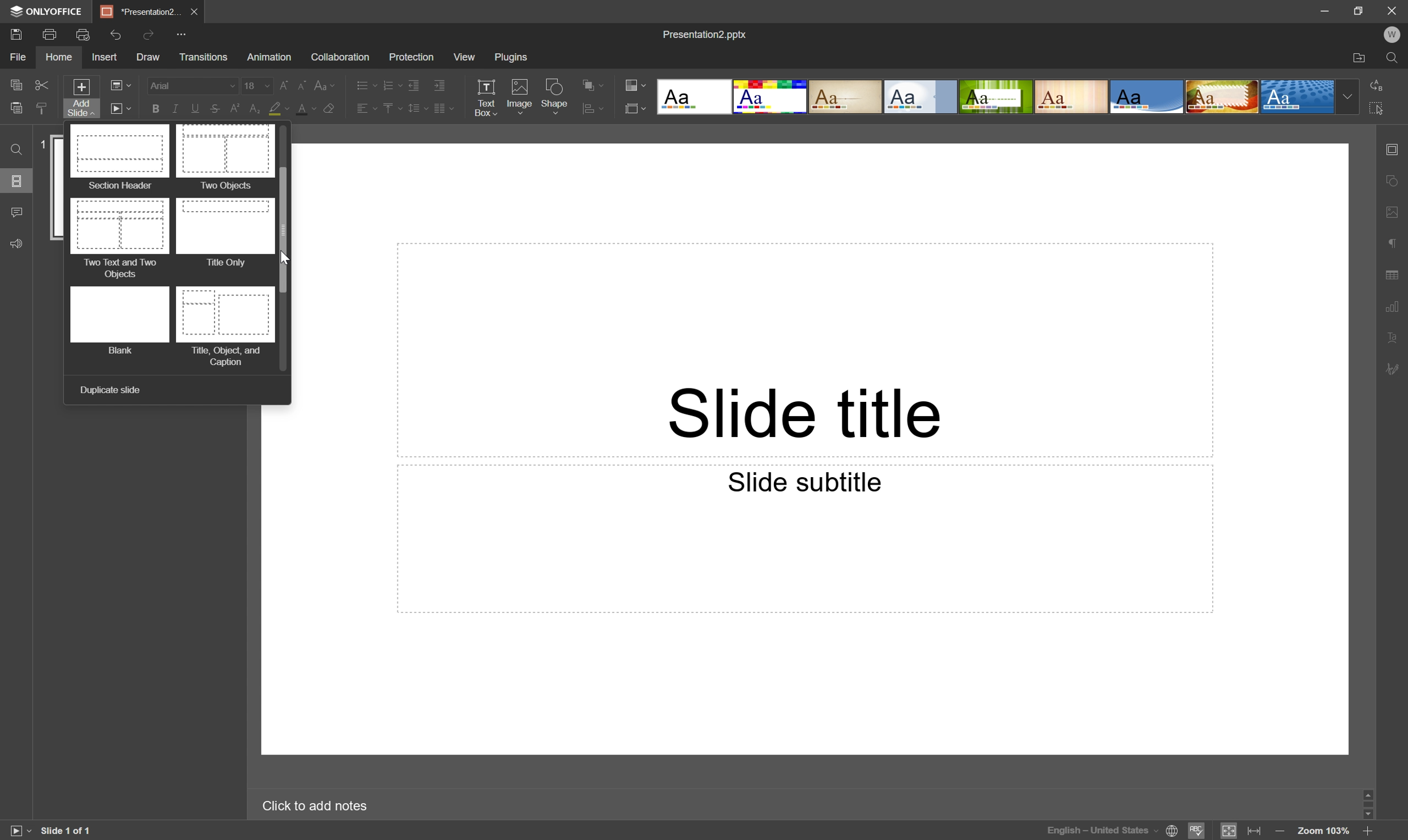 The width and height of the screenshot is (1408, 840). What do you see at coordinates (1327, 8) in the screenshot?
I see `Minimize` at bounding box center [1327, 8].